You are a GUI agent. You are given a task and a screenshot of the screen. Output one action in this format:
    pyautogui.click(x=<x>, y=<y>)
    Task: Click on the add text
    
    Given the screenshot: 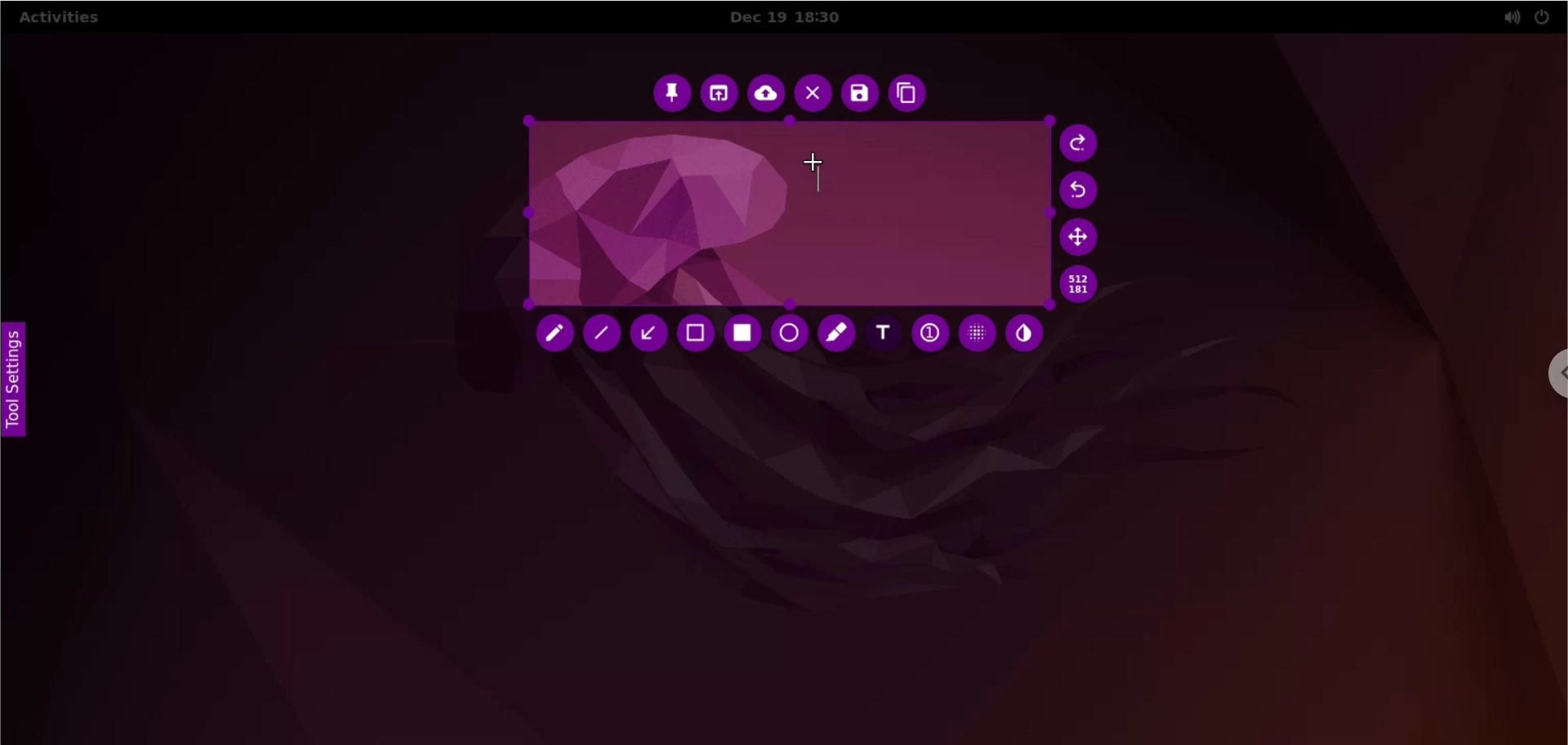 What is the action you would take?
    pyautogui.click(x=886, y=332)
    